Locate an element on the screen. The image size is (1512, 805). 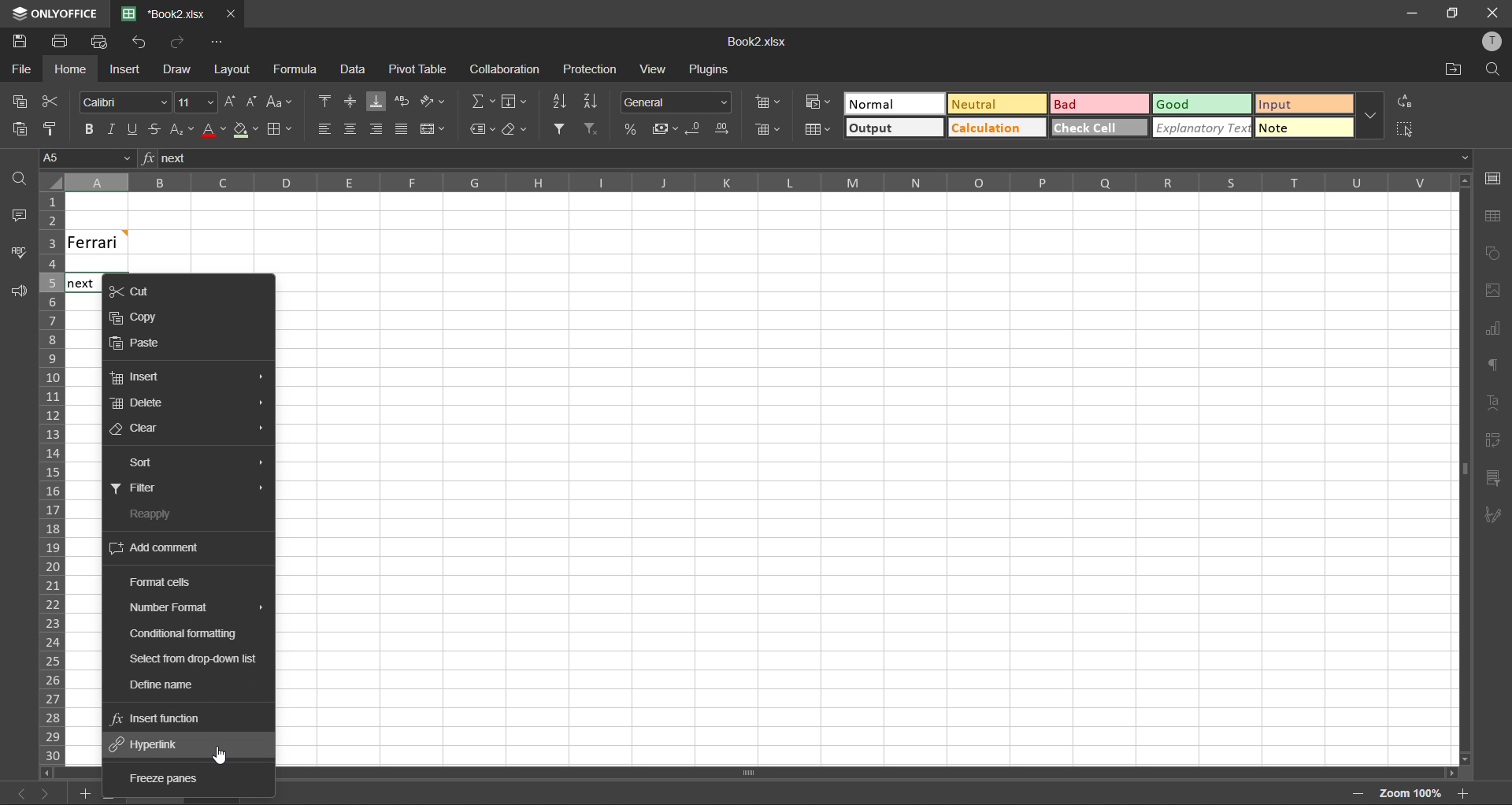
quick print is located at coordinates (99, 41).